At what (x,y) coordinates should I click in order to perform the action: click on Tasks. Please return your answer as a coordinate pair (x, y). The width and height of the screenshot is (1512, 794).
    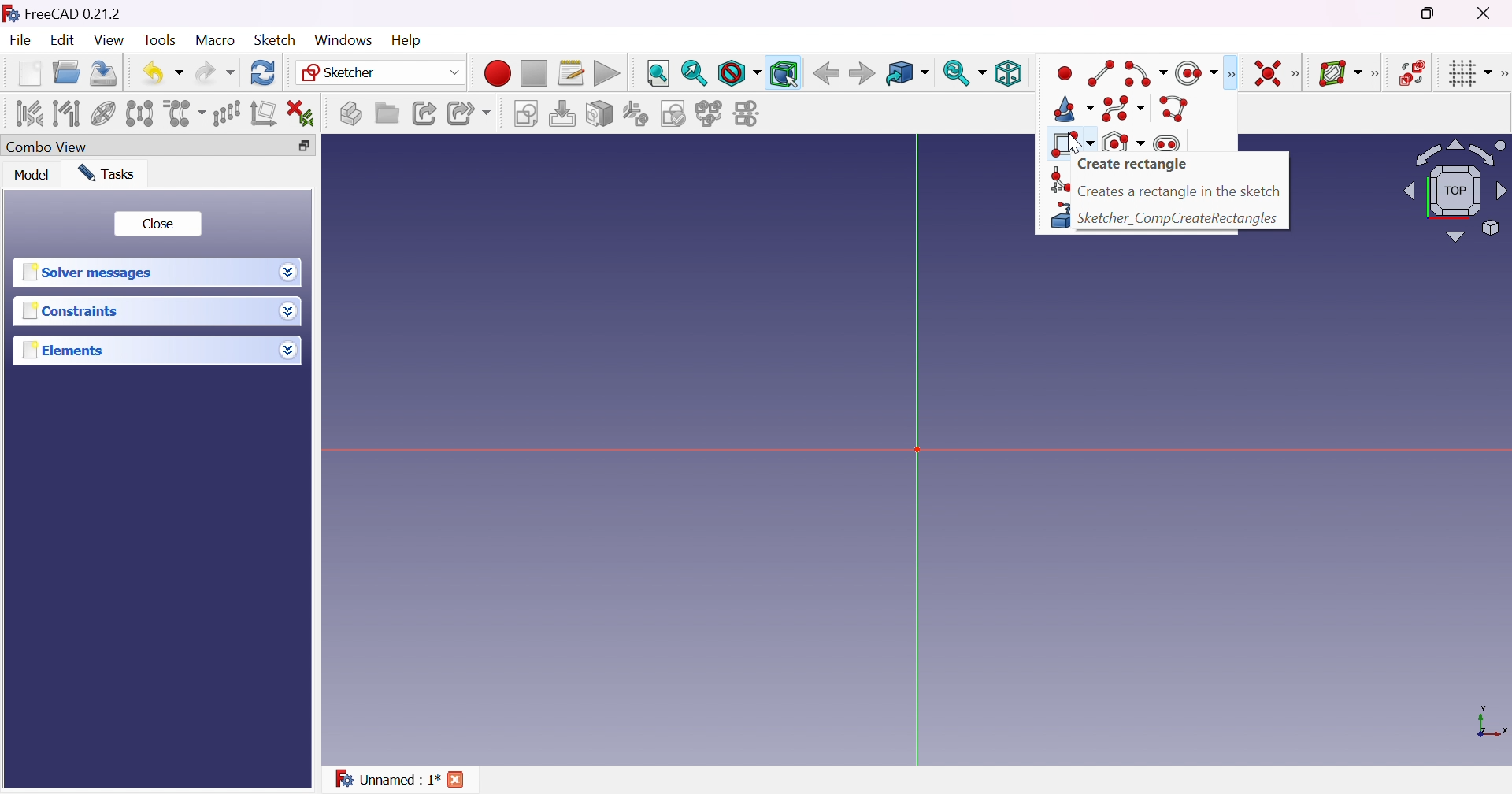
    Looking at the image, I should click on (106, 173).